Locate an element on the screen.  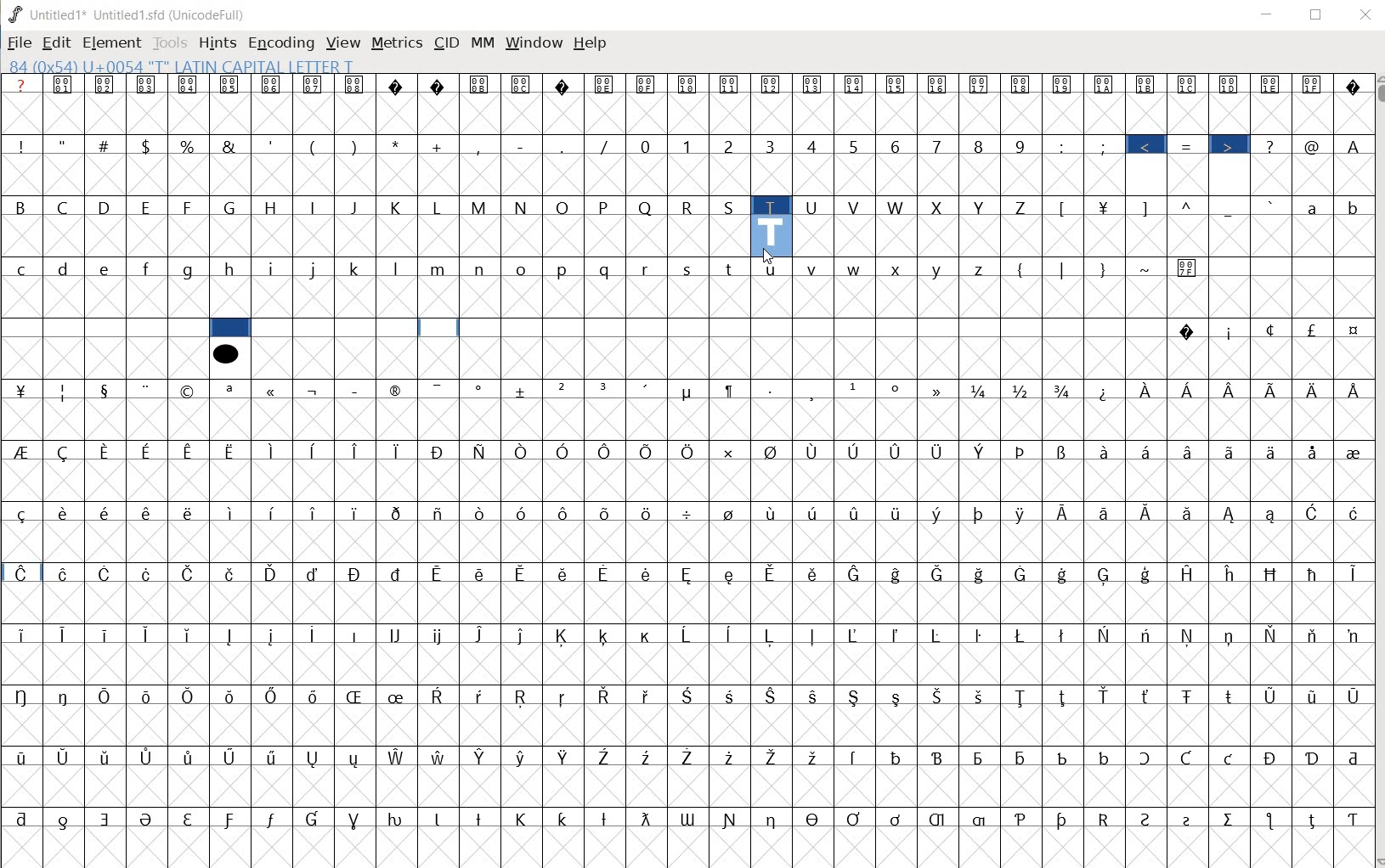
Symbol is located at coordinates (1314, 573).